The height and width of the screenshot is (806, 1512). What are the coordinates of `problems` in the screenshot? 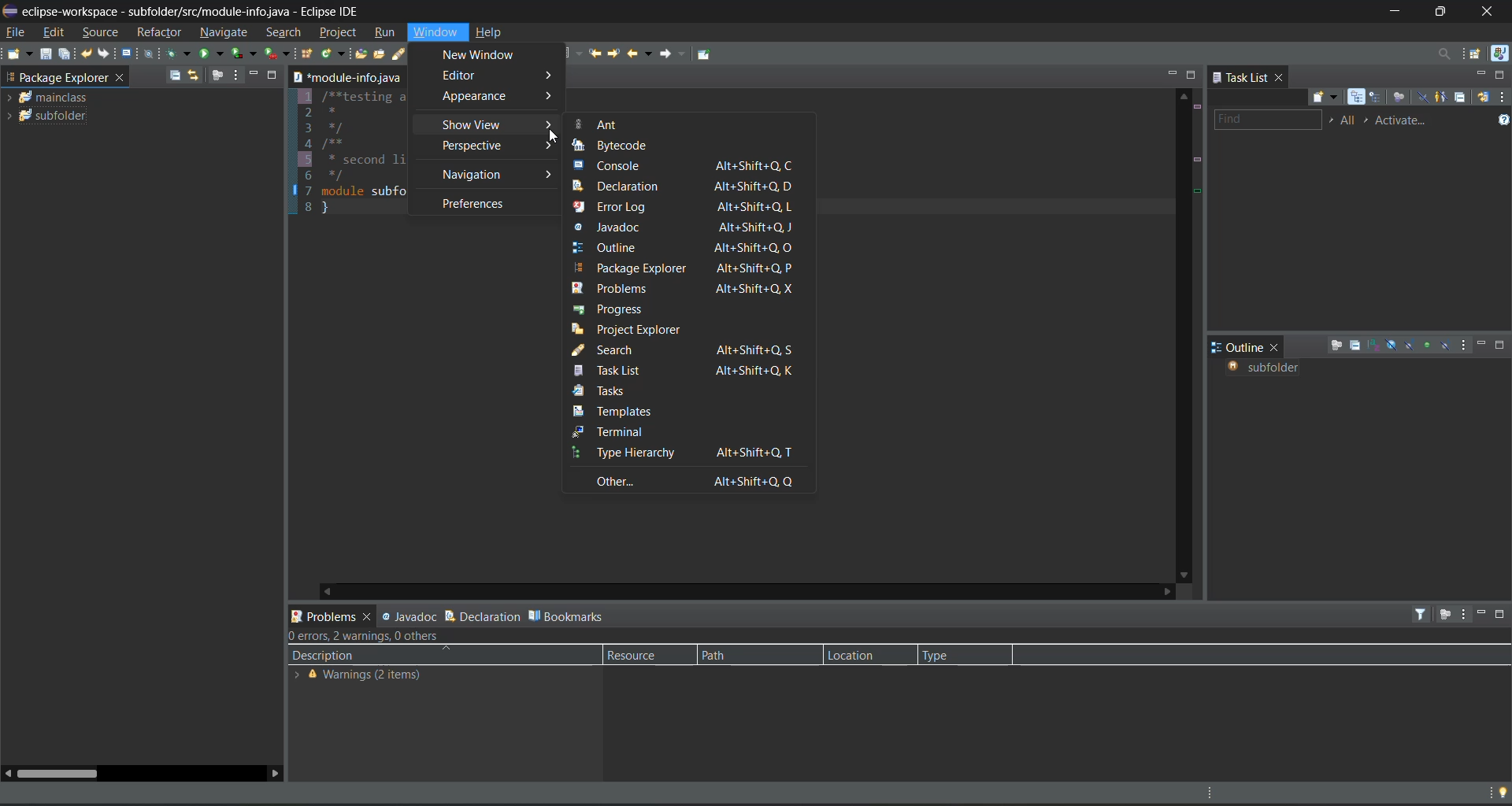 It's located at (682, 287).